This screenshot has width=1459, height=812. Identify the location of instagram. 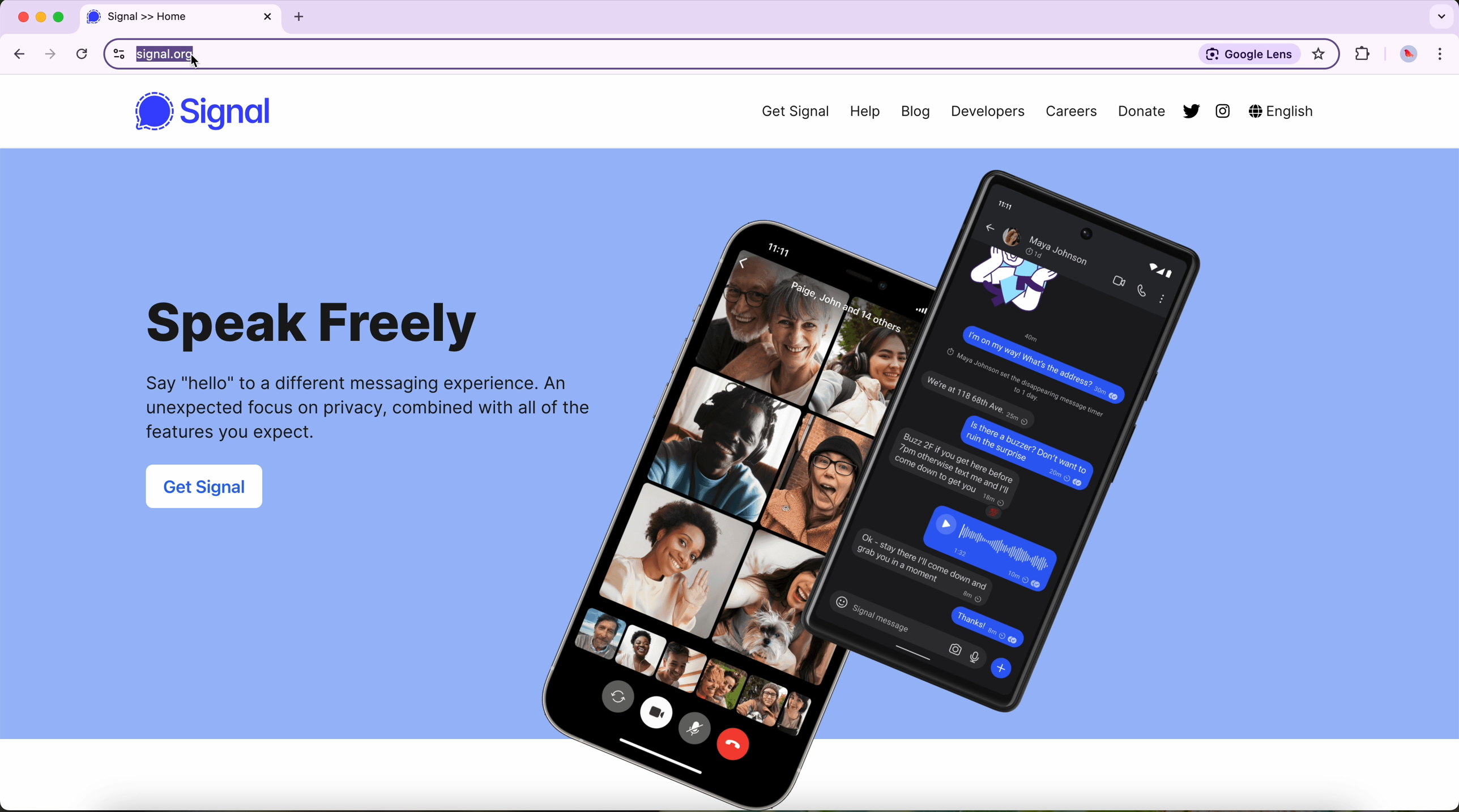
(1224, 113).